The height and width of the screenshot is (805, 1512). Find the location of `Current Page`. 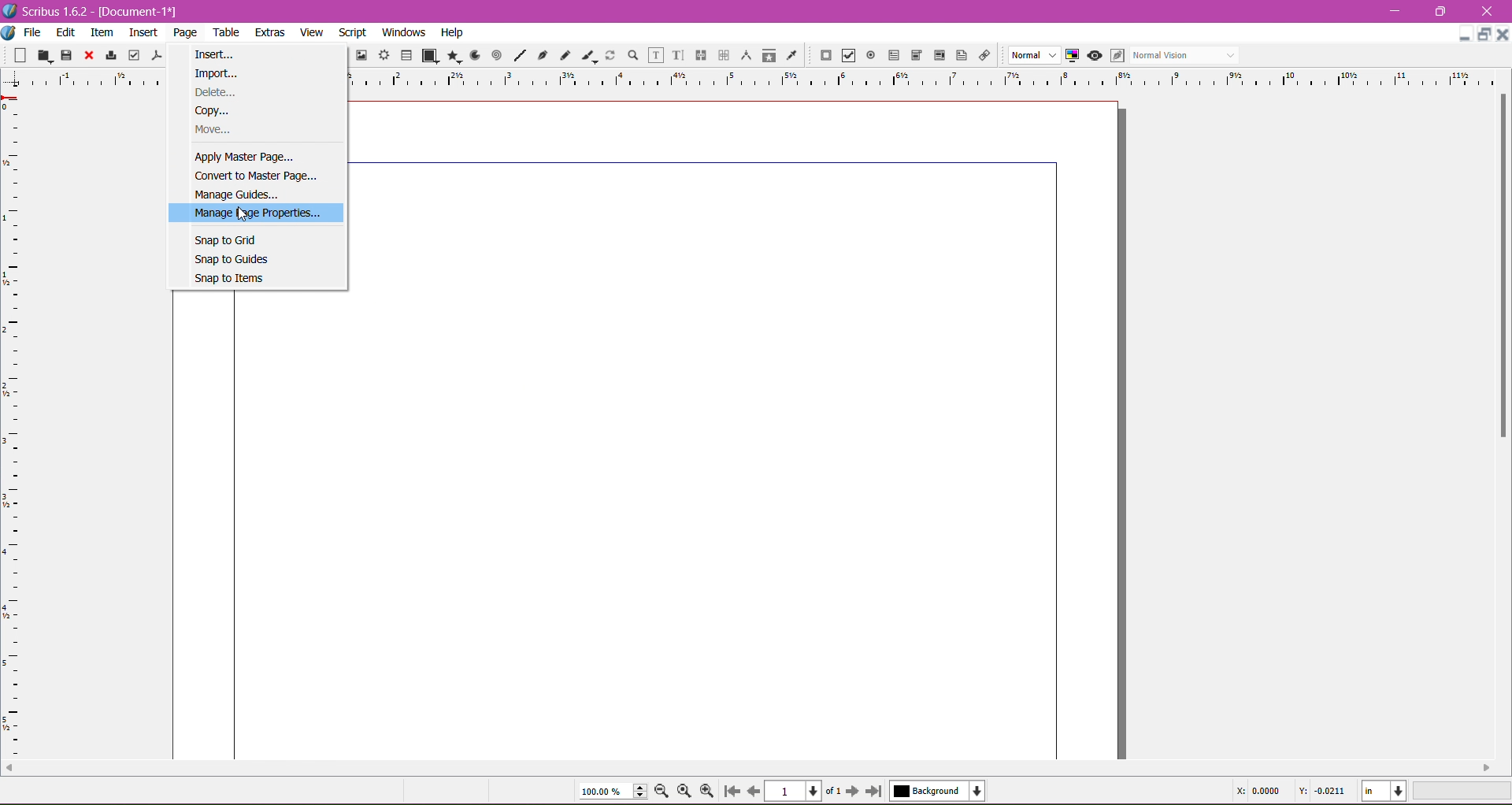

Current Page is located at coordinates (649, 531).